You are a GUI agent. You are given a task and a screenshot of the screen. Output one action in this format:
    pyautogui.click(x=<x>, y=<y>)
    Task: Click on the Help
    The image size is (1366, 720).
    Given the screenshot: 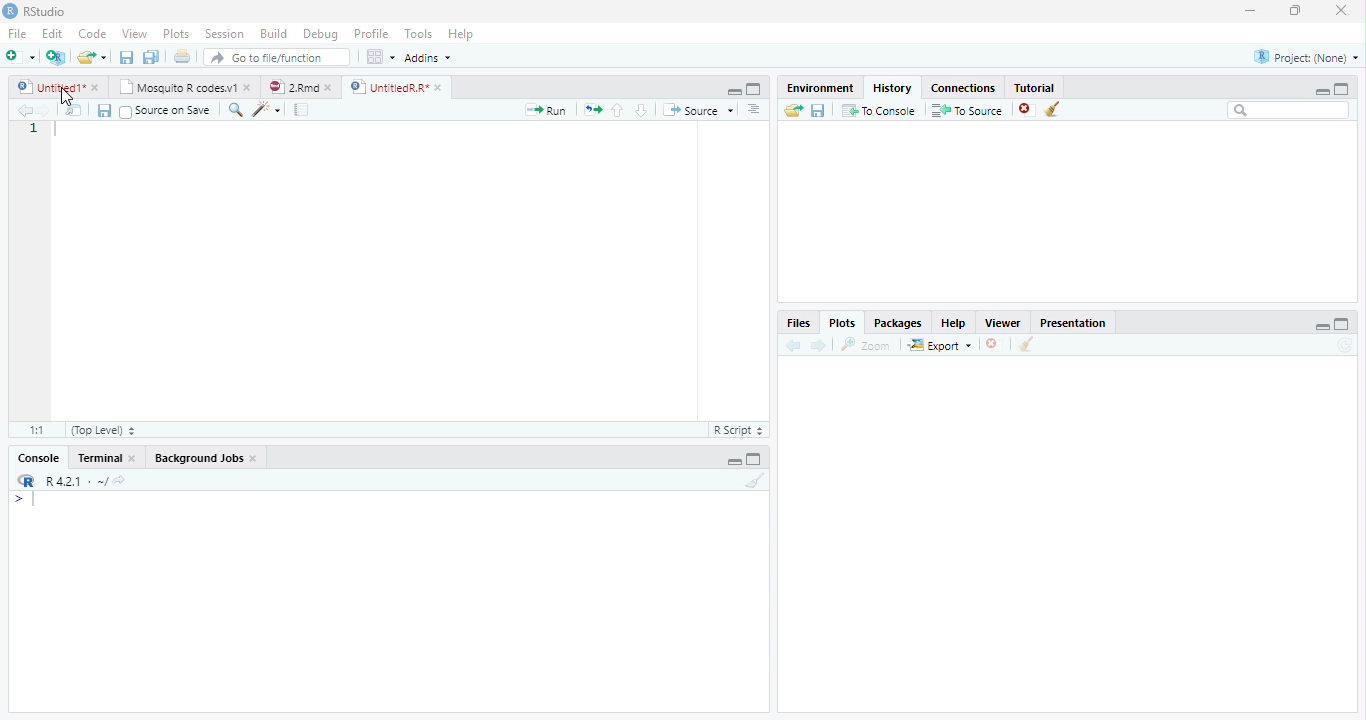 What is the action you would take?
    pyautogui.click(x=462, y=36)
    